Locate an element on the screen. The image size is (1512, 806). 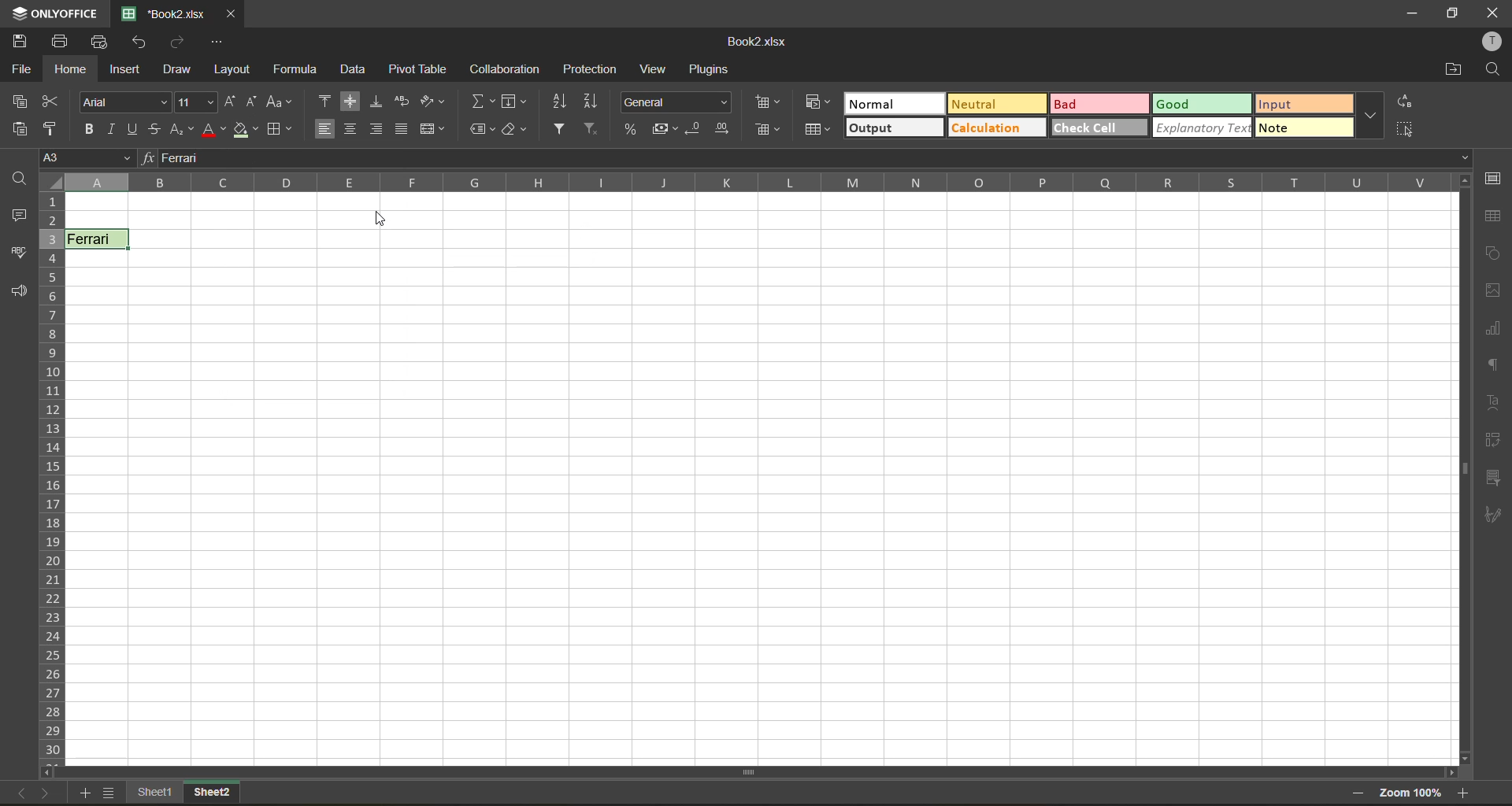
clear filter is located at coordinates (593, 130).